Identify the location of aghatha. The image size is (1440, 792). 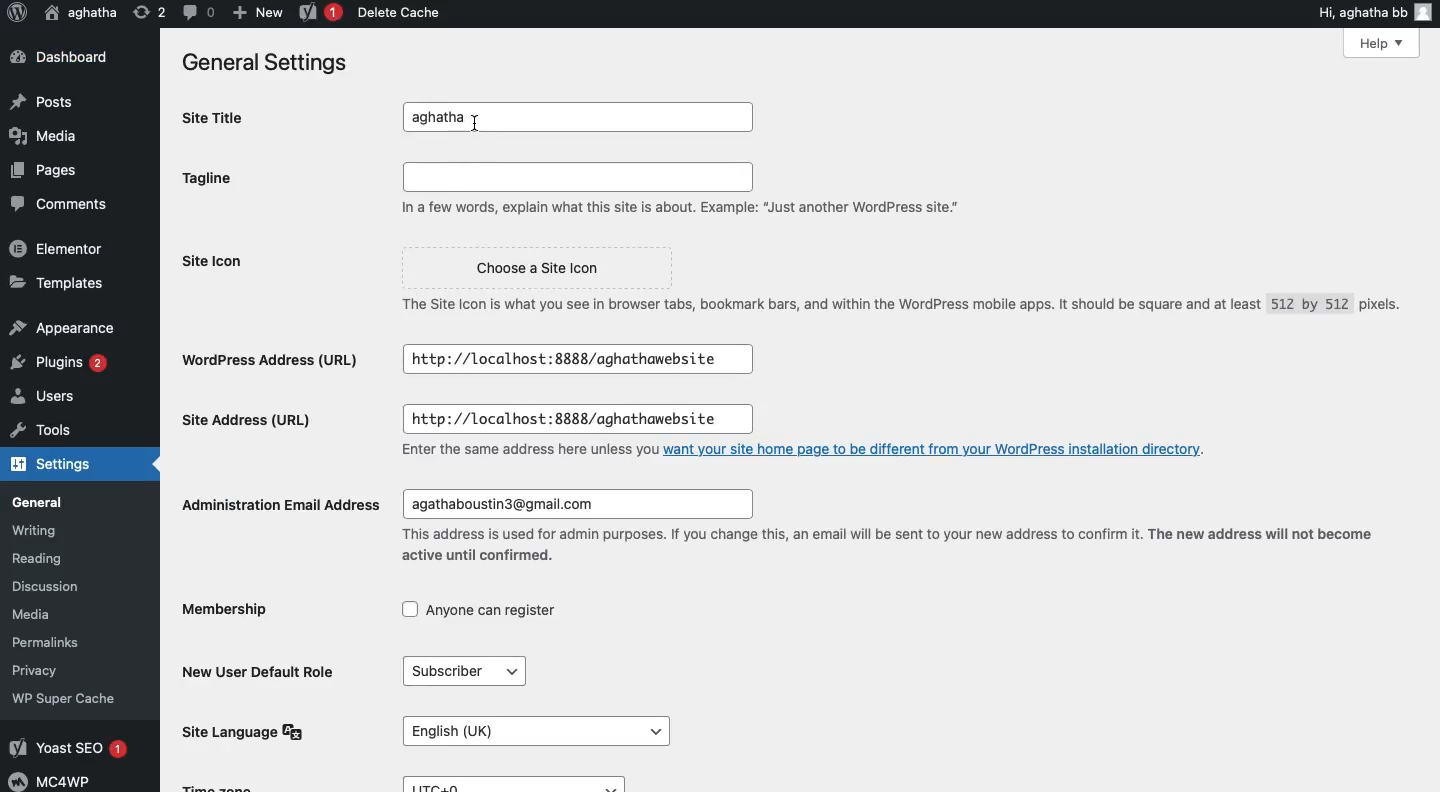
(572, 118).